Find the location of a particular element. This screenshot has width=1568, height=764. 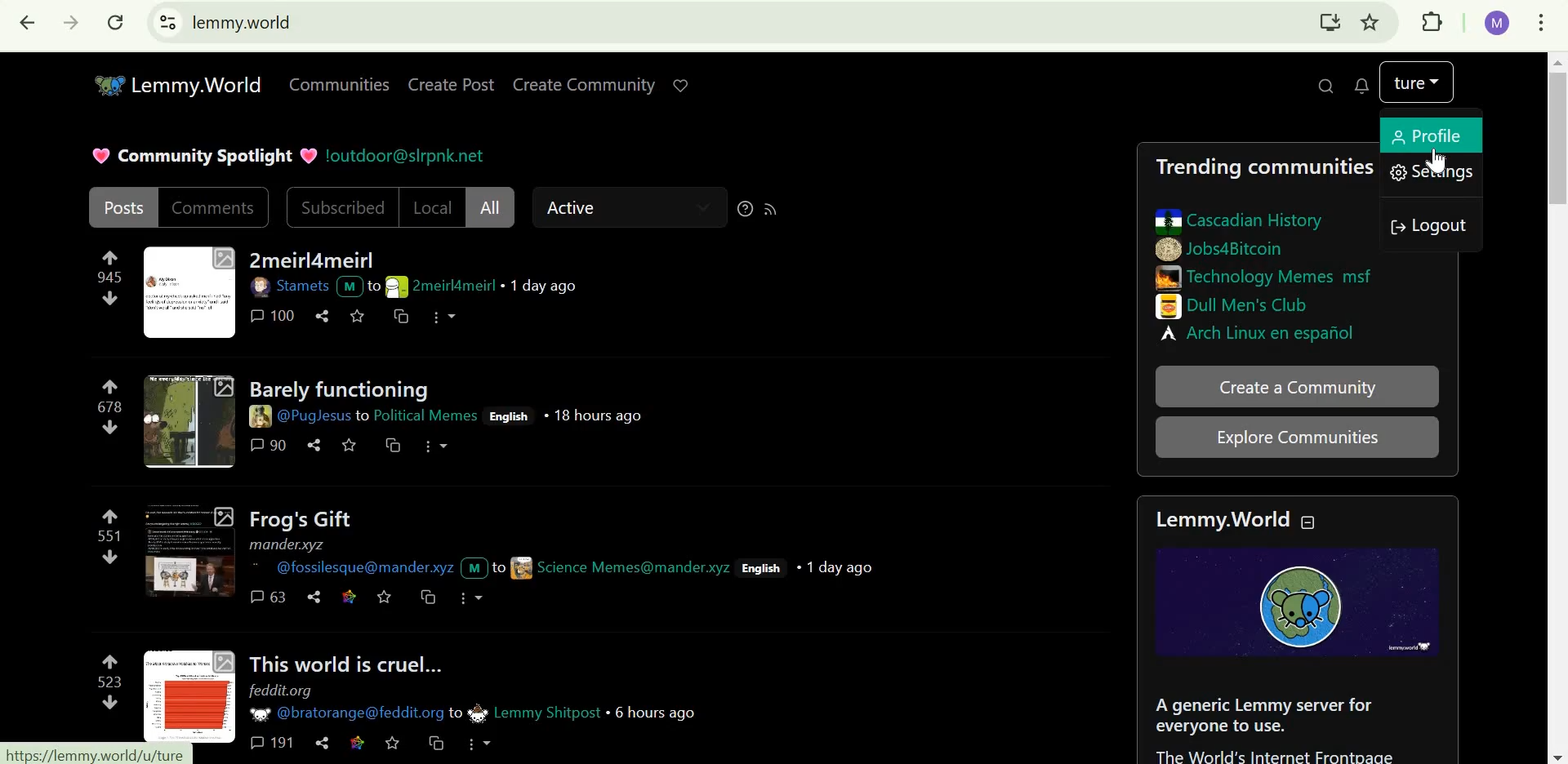

user id is located at coordinates (614, 567).